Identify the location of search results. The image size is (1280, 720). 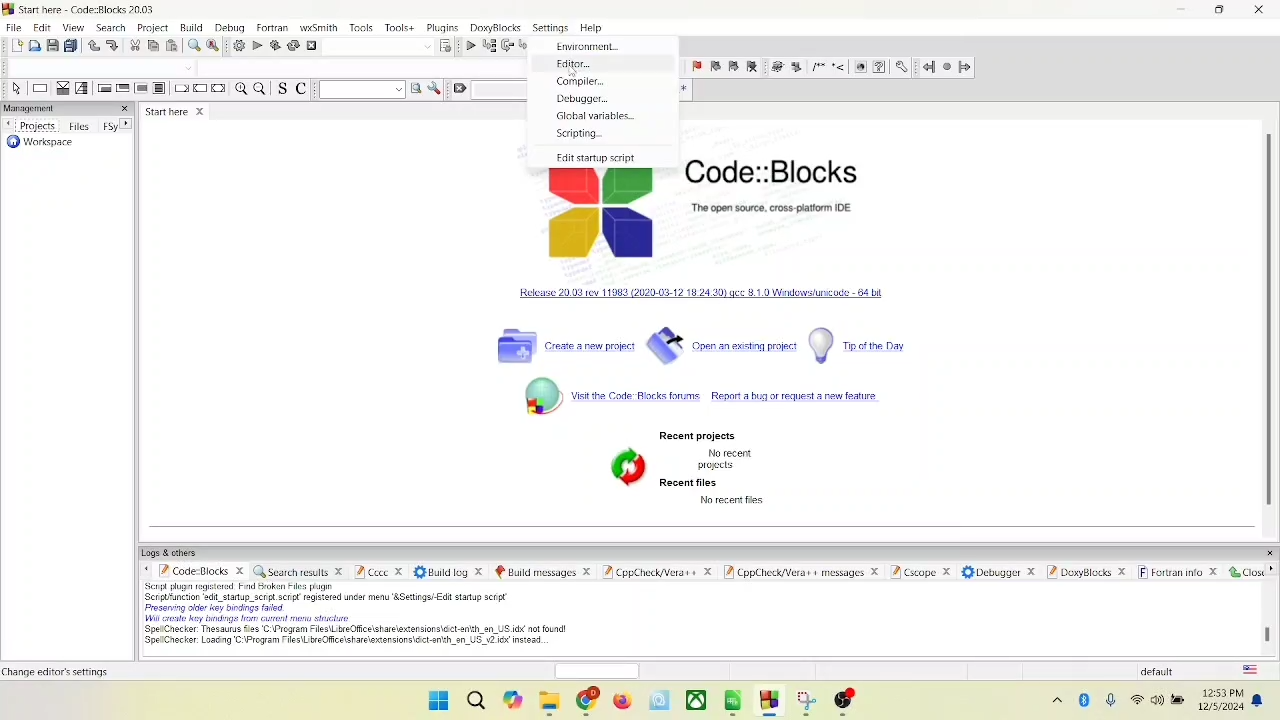
(298, 570).